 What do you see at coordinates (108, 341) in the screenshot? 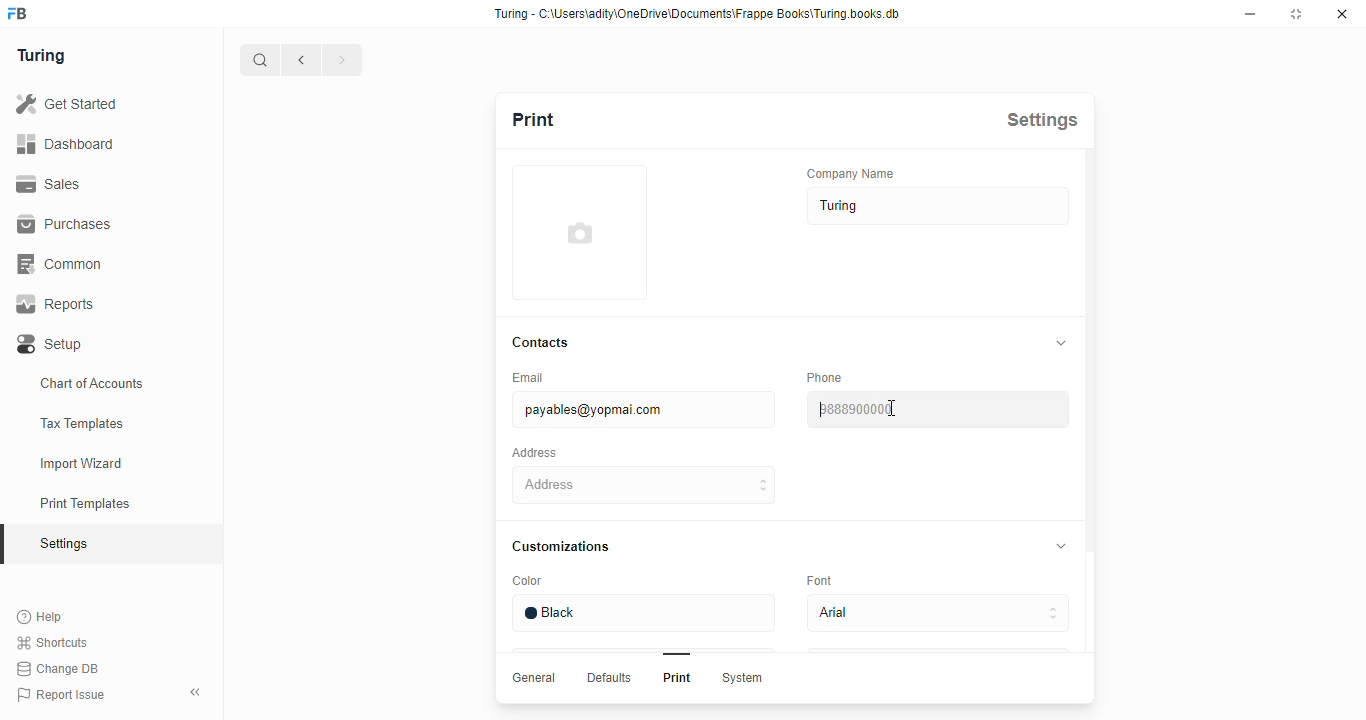
I see `Setup` at bounding box center [108, 341].